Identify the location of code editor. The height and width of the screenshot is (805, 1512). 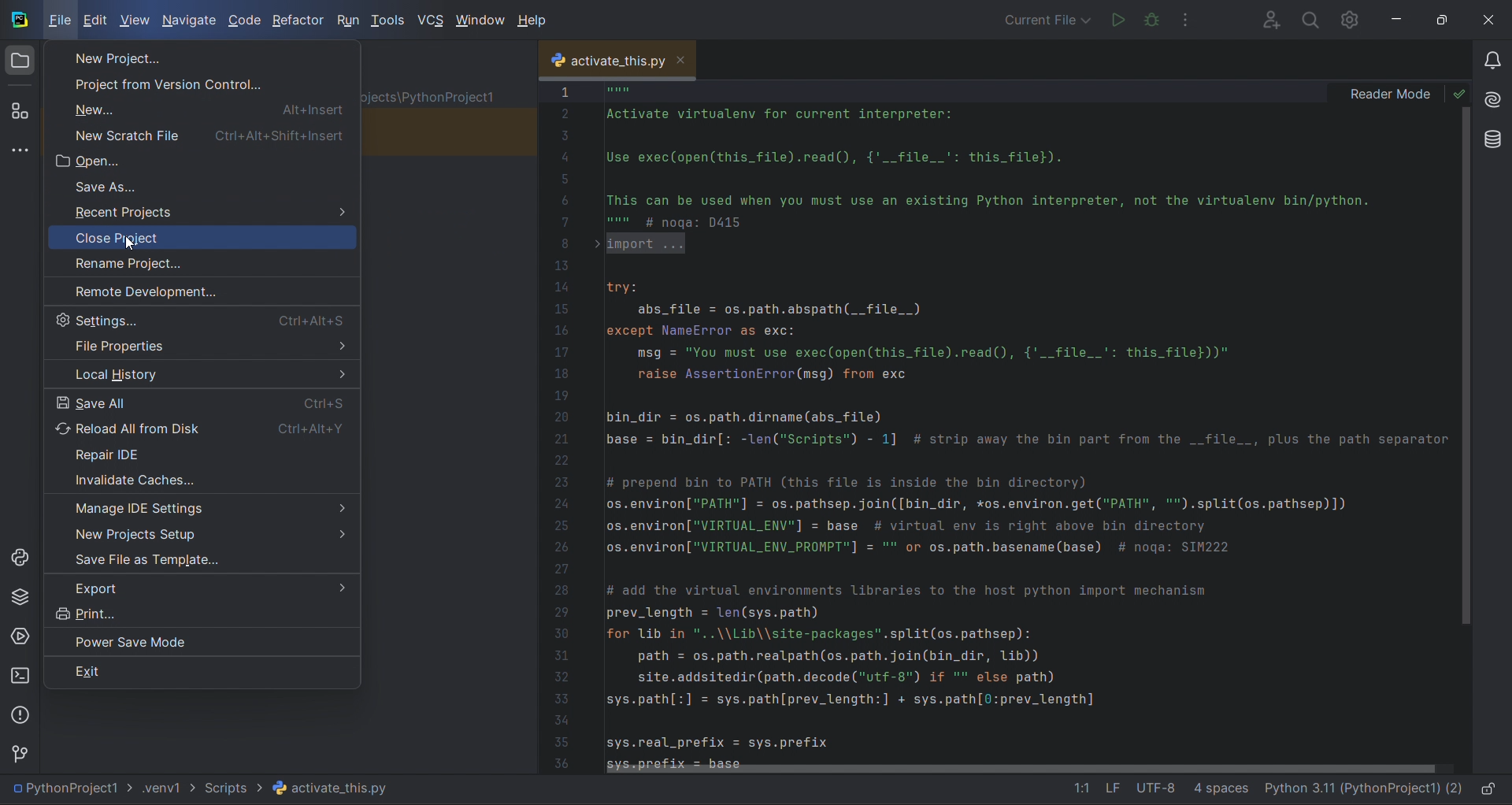
(1021, 421).